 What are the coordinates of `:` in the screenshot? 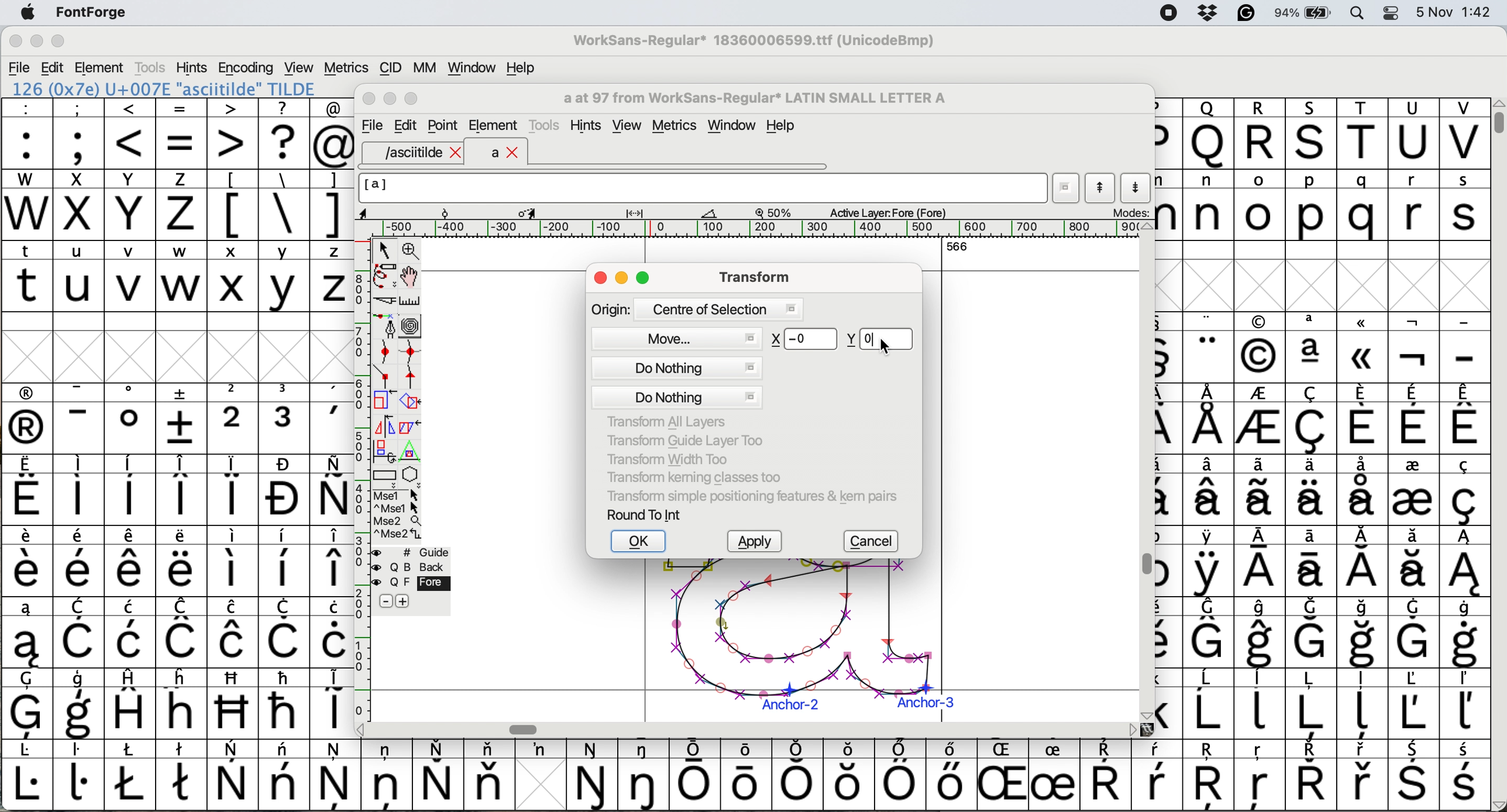 It's located at (28, 134).